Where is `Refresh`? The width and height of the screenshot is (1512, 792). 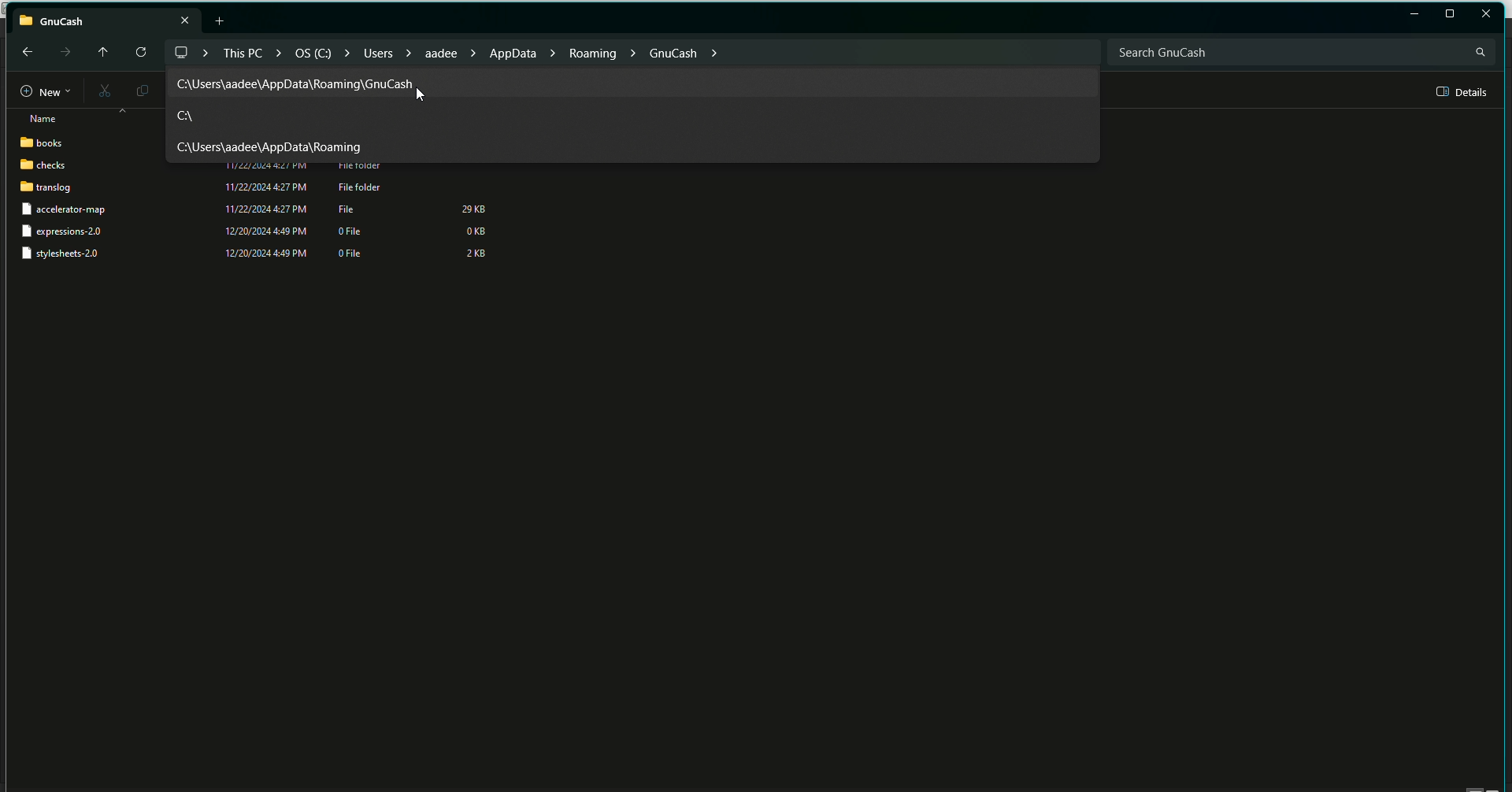
Refresh is located at coordinates (139, 53).